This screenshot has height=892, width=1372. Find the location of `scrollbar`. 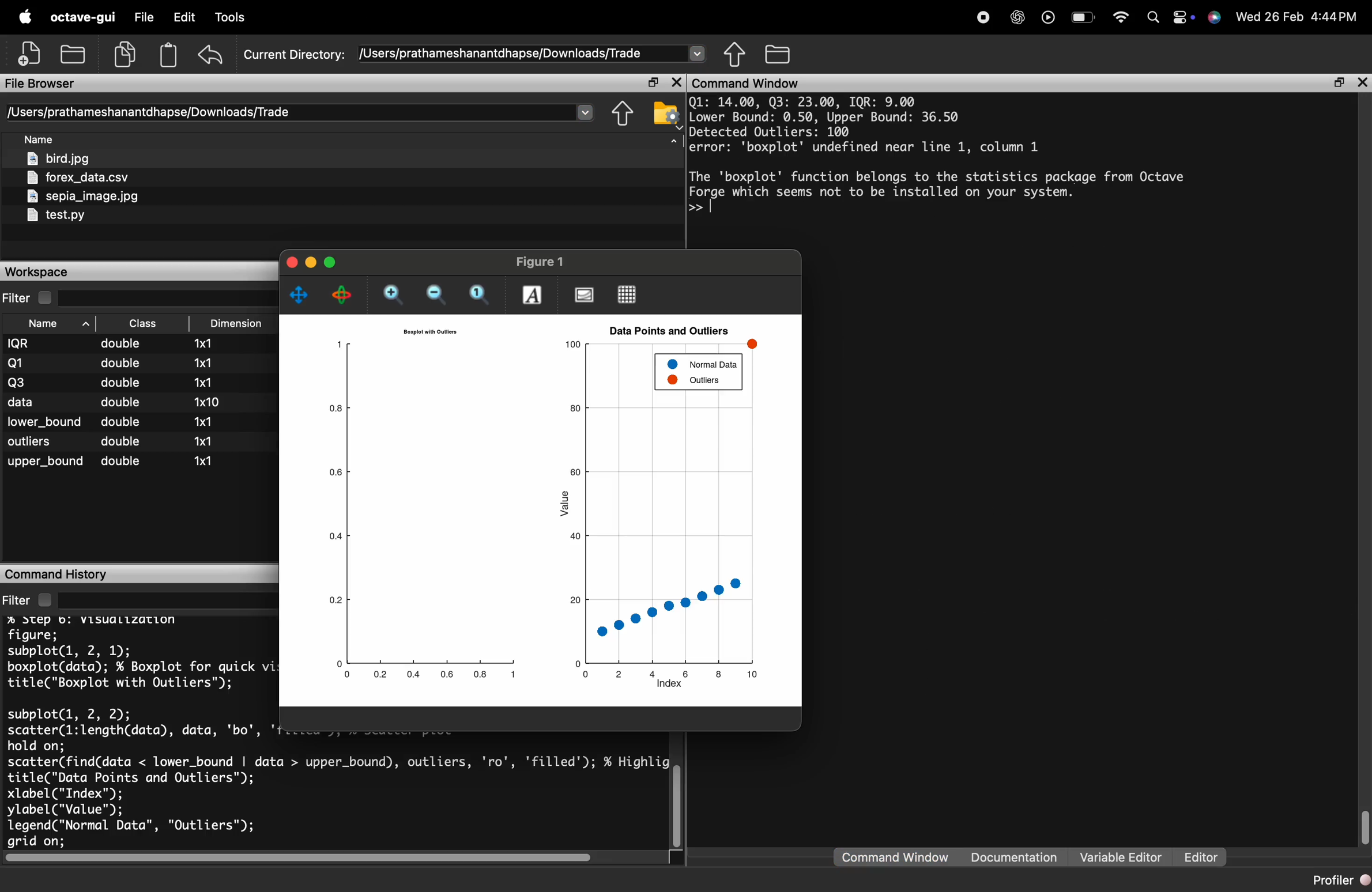

scrollbar is located at coordinates (302, 857).